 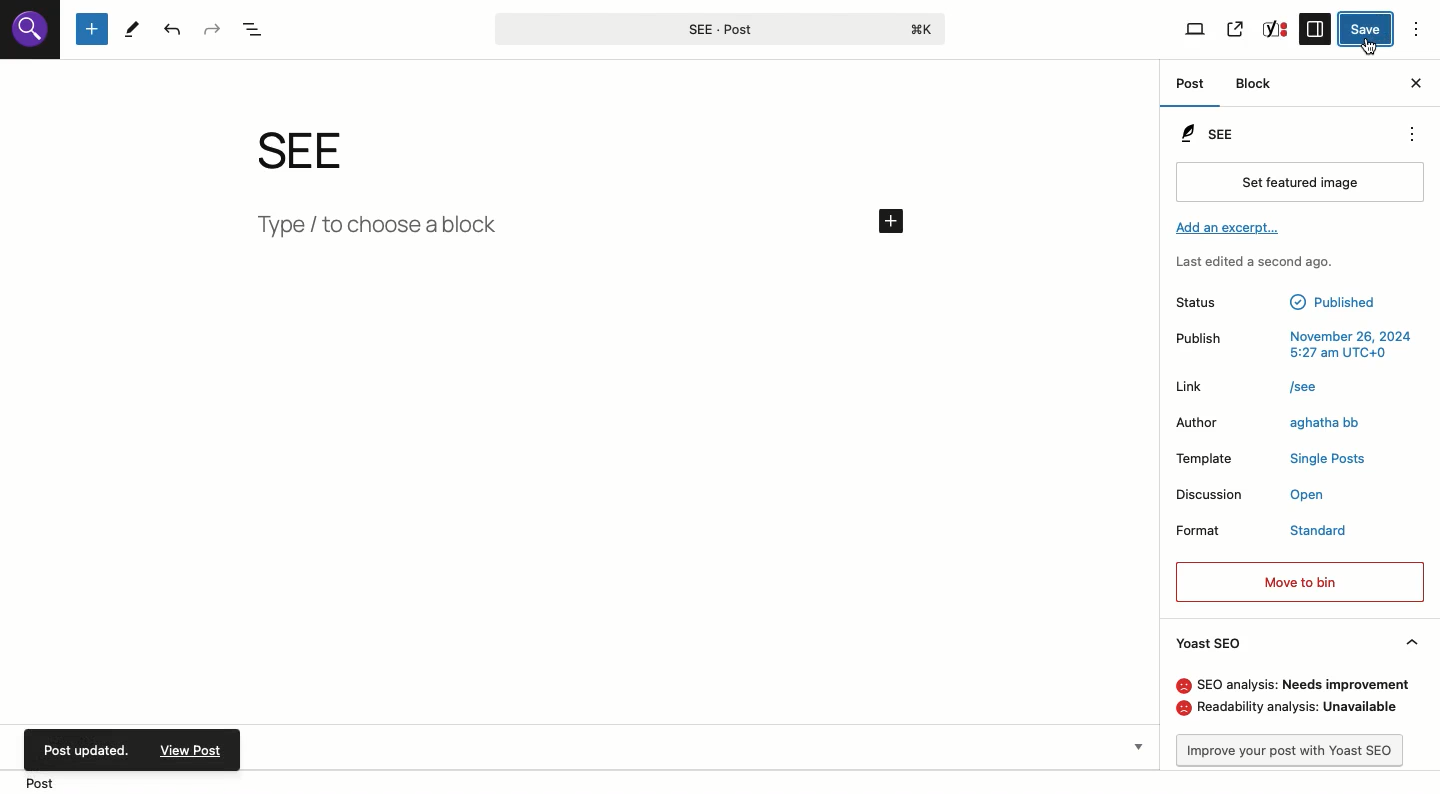 What do you see at coordinates (1264, 263) in the screenshot?
I see `Last edited` at bounding box center [1264, 263].